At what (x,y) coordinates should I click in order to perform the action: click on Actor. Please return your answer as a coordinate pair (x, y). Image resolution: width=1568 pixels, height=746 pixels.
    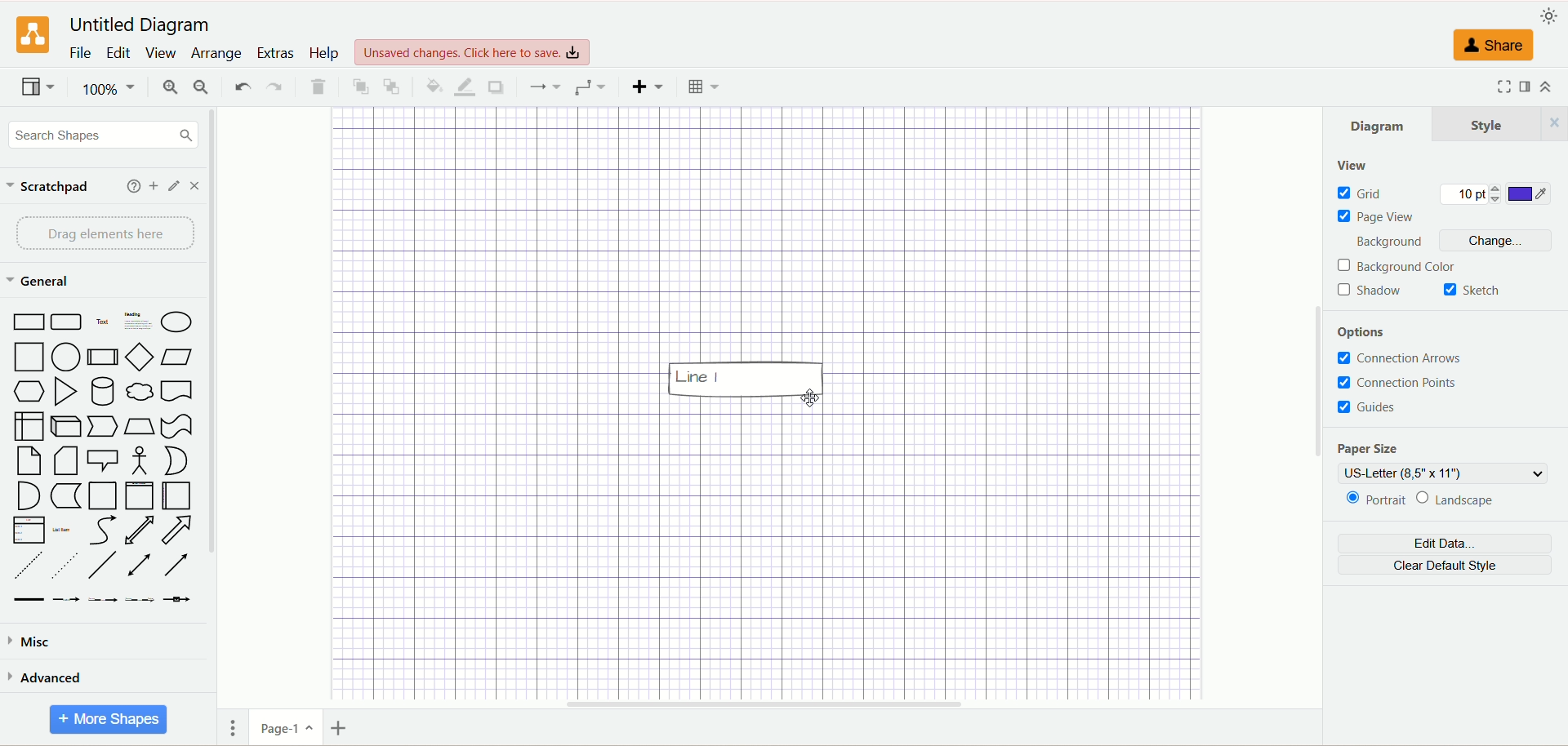
    Looking at the image, I should click on (140, 463).